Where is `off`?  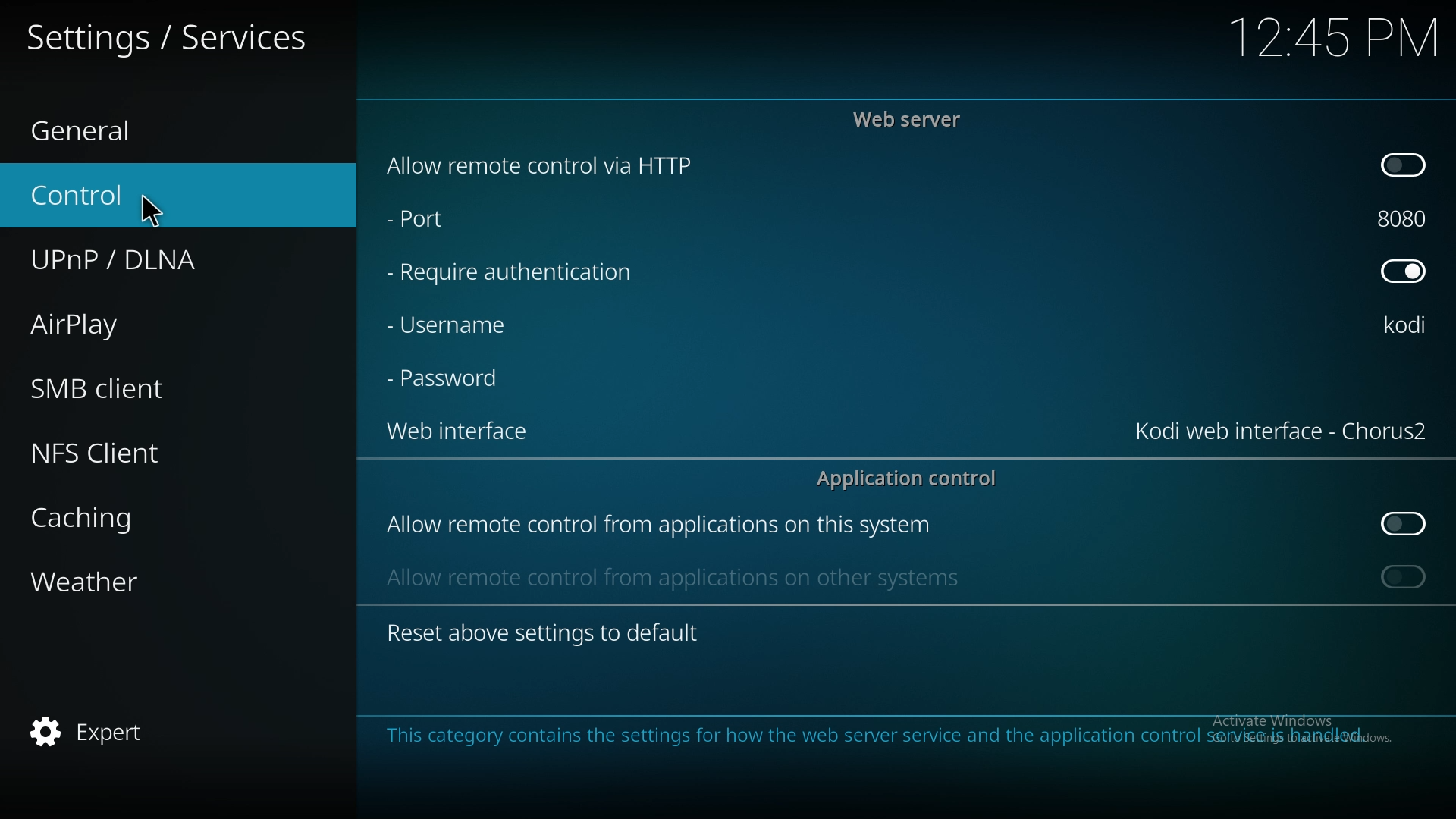 off is located at coordinates (1403, 269).